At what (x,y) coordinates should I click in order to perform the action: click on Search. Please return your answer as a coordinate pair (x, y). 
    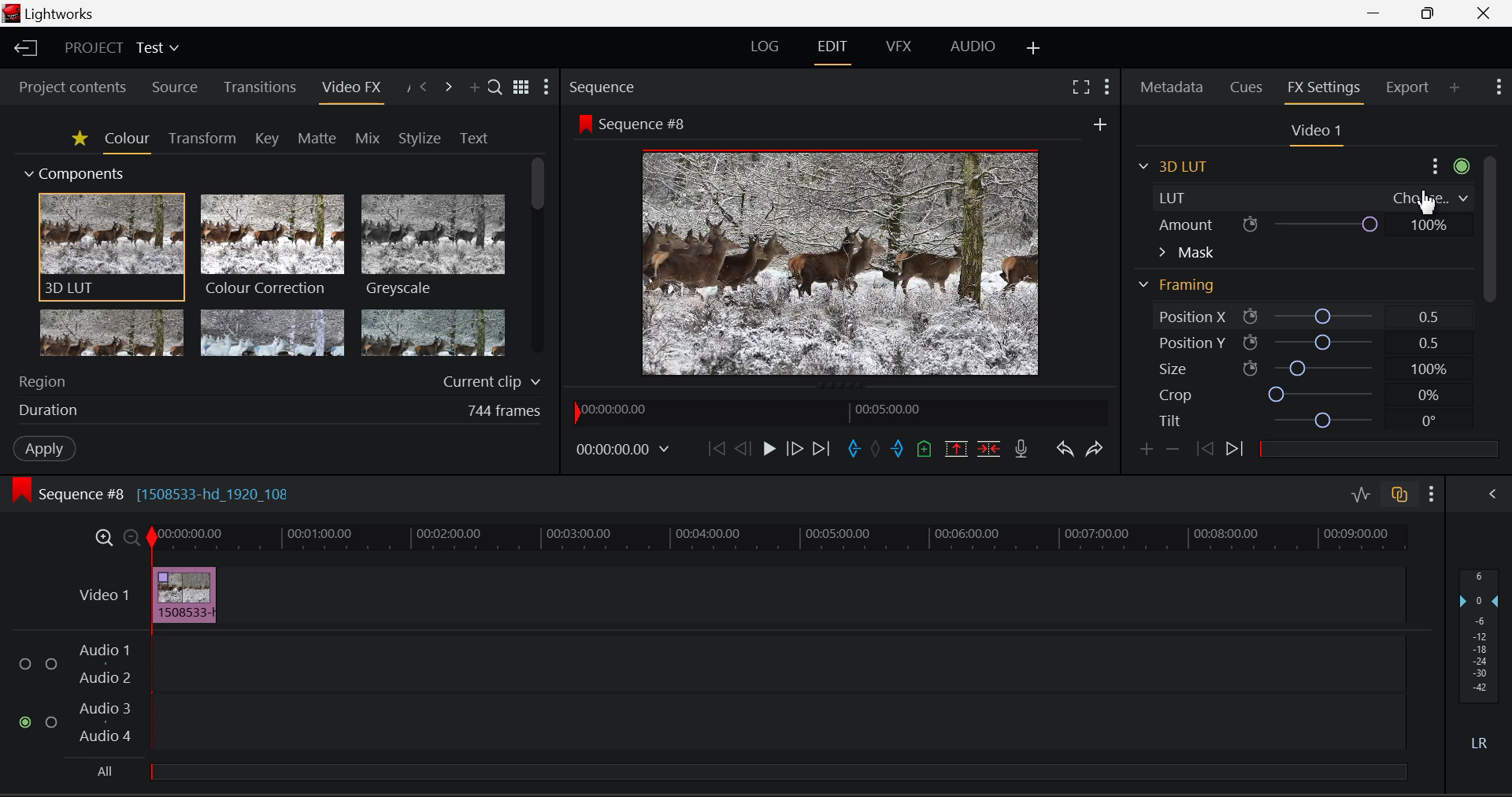
    Looking at the image, I should click on (493, 83).